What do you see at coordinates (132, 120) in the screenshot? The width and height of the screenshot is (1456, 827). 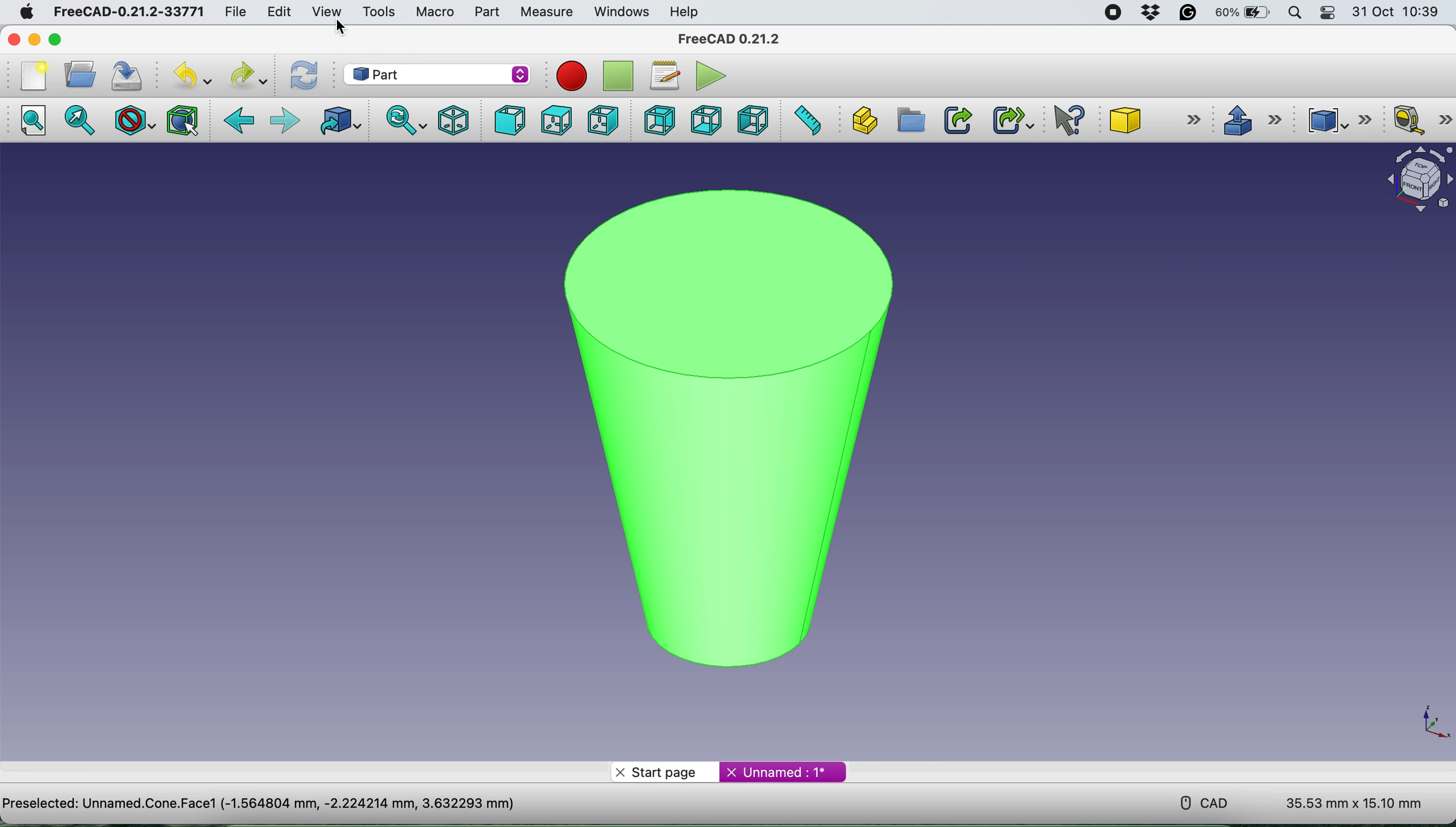 I see `draw style` at bounding box center [132, 120].